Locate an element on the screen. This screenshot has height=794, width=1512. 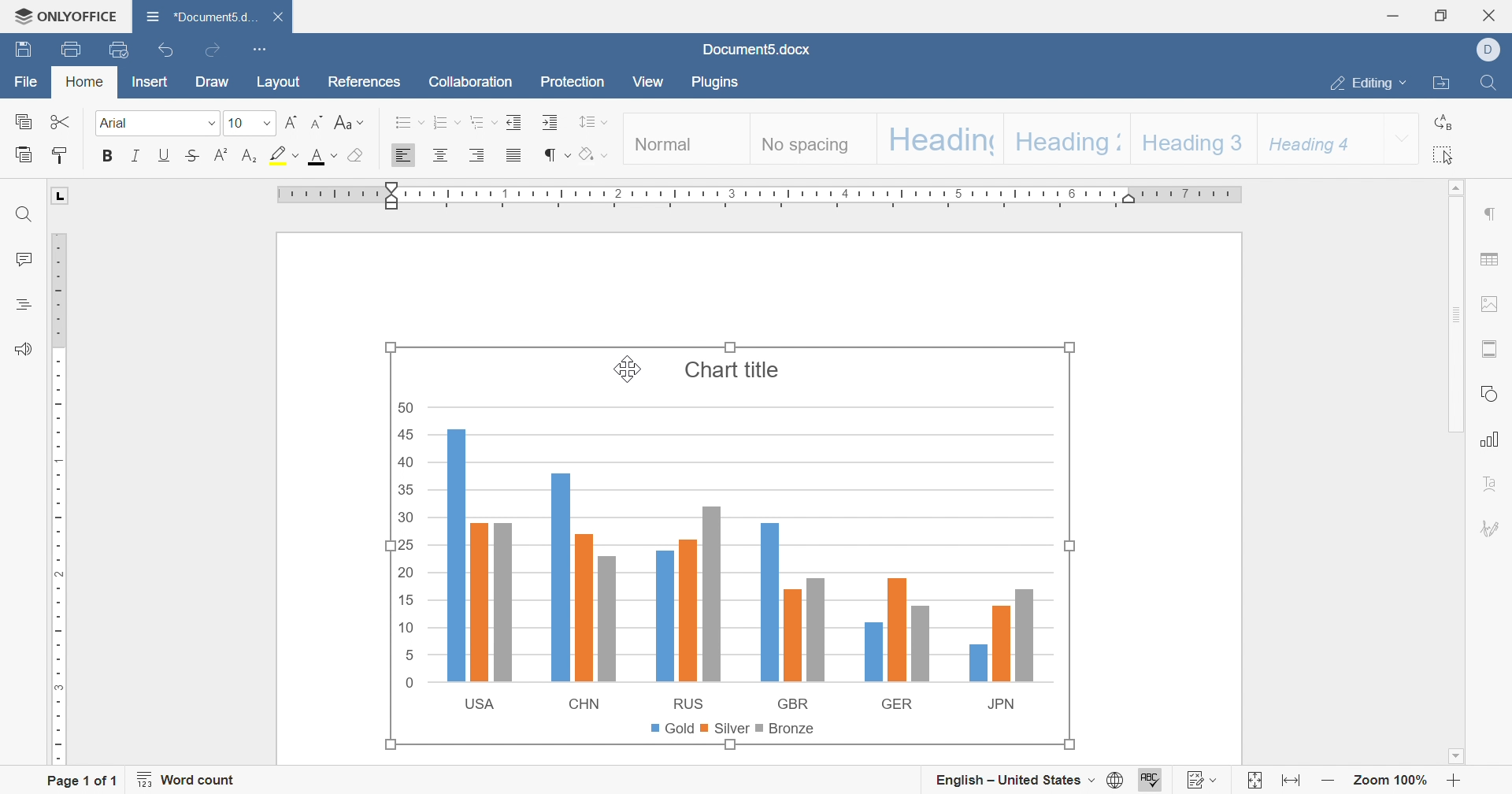
cursor is located at coordinates (626, 374).